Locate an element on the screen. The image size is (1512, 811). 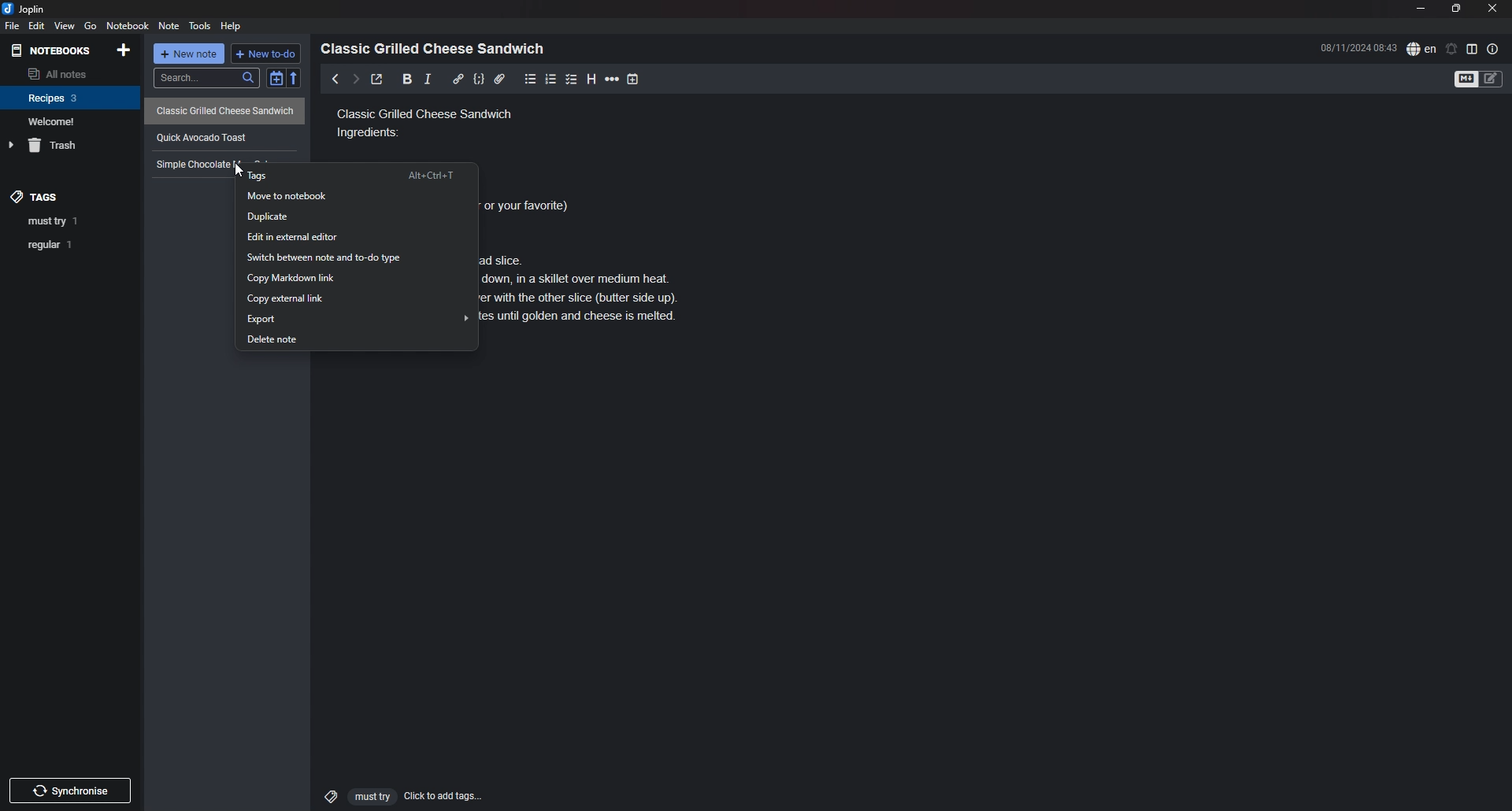
toggle external editor is located at coordinates (376, 81).